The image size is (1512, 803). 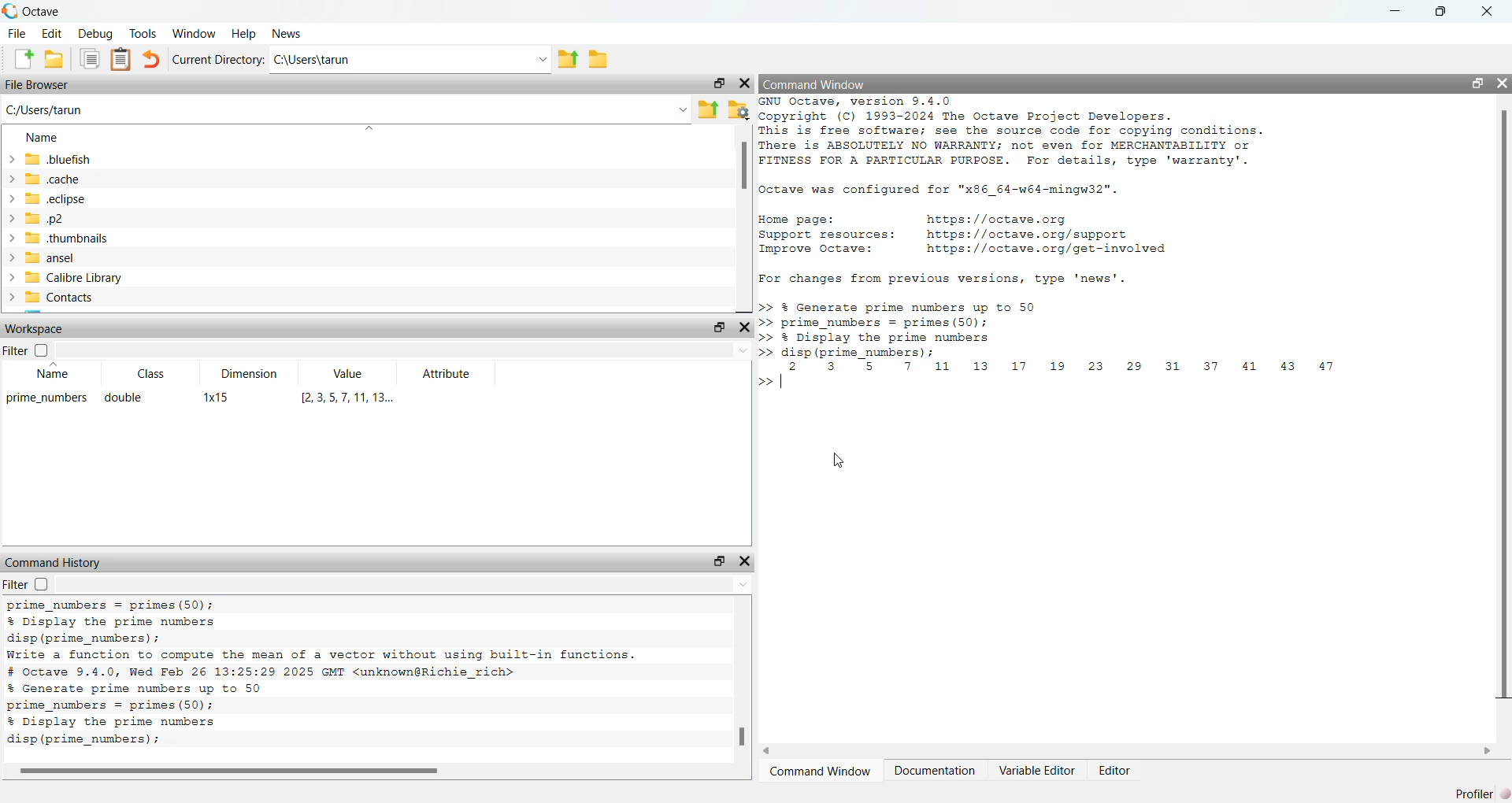 What do you see at coordinates (721, 83) in the screenshot?
I see `open in separate window` at bounding box center [721, 83].